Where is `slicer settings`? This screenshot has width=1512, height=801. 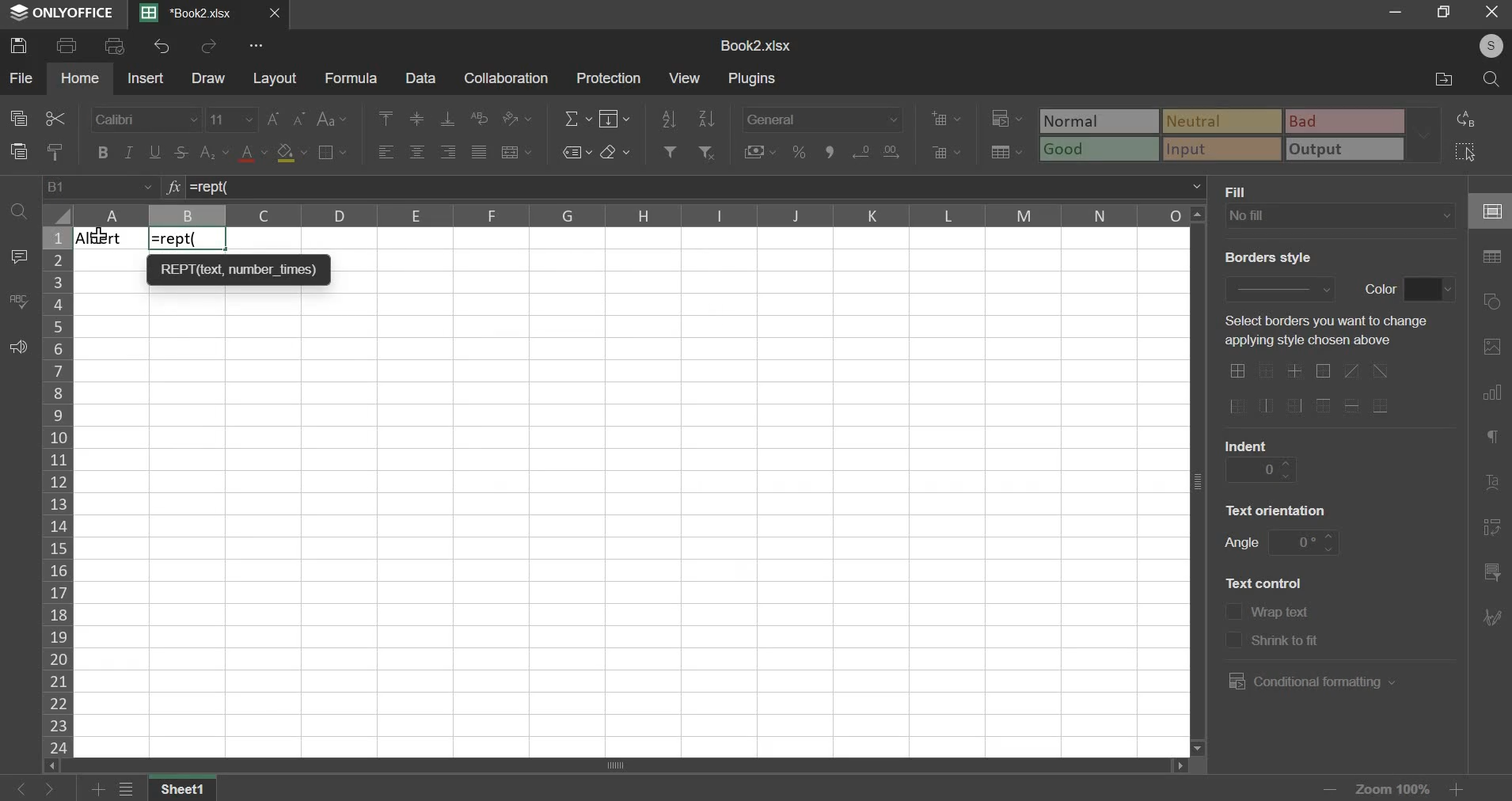
slicer settings is located at coordinates (1493, 570).